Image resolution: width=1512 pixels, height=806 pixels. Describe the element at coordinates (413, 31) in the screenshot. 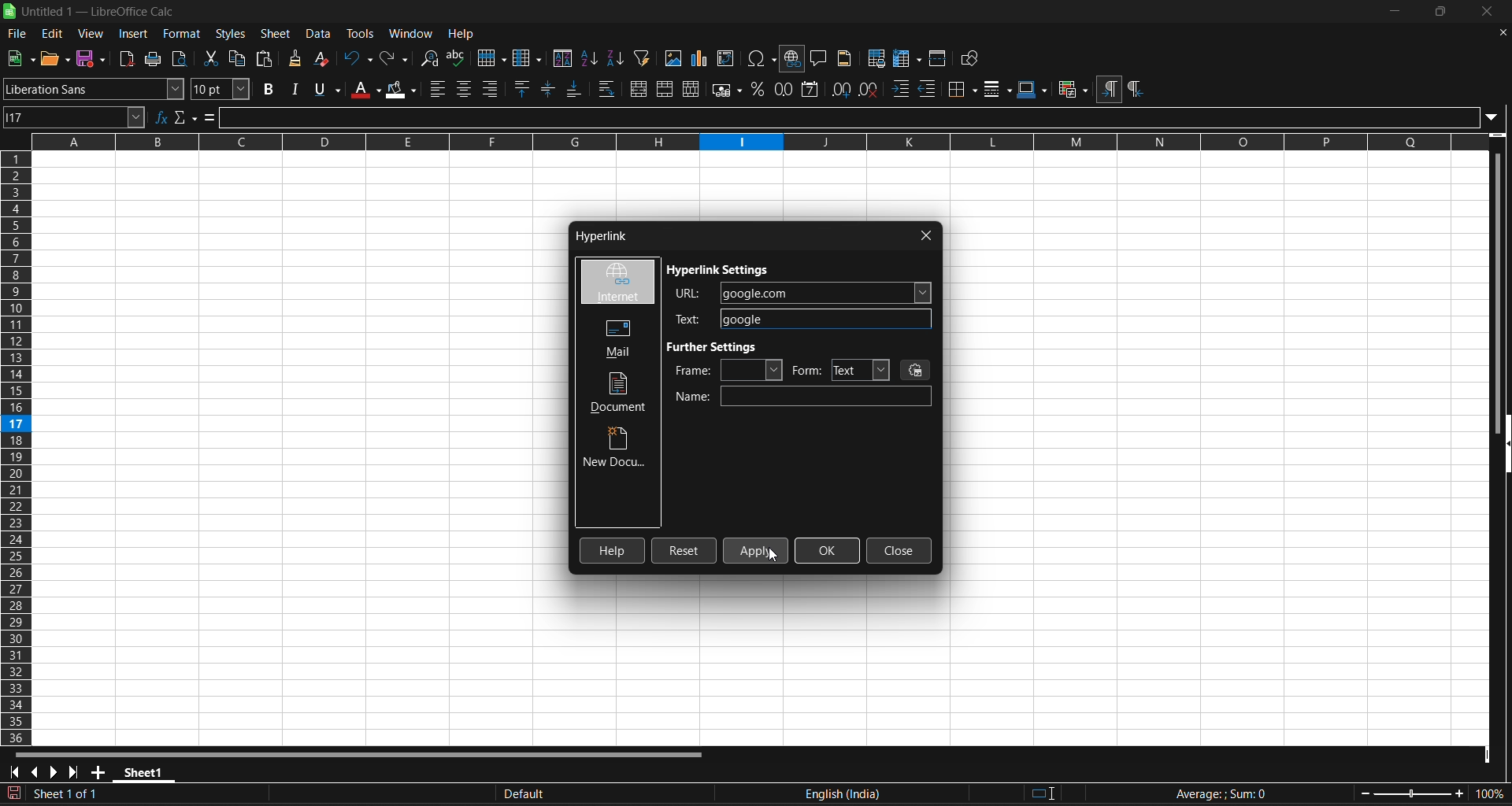

I see `window` at that location.